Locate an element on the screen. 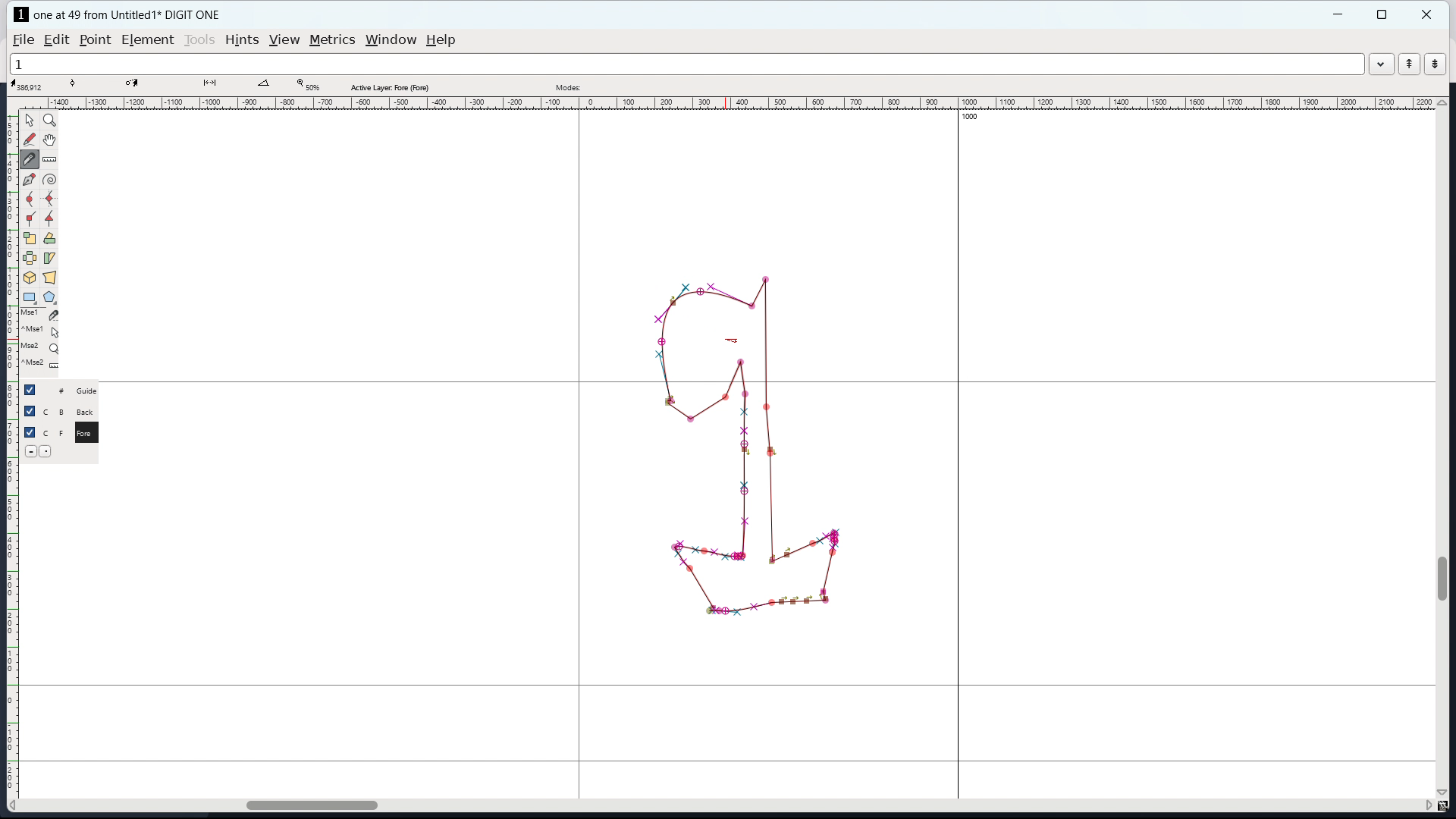  # is located at coordinates (55, 391).